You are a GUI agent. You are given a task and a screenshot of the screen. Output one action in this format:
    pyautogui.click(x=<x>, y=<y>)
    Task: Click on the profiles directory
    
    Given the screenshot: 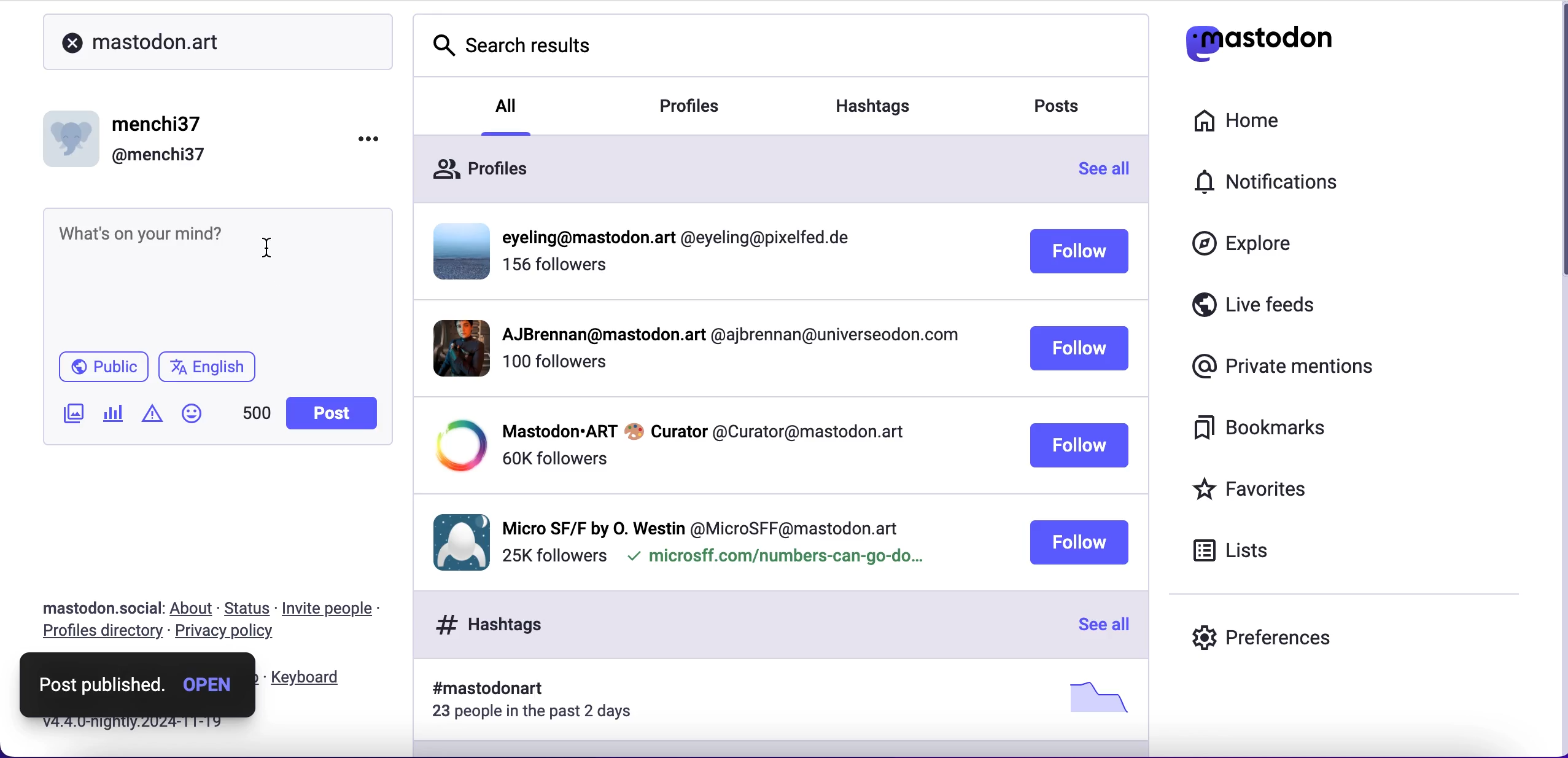 What is the action you would take?
    pyautogui.click(x=98, y=633)
    